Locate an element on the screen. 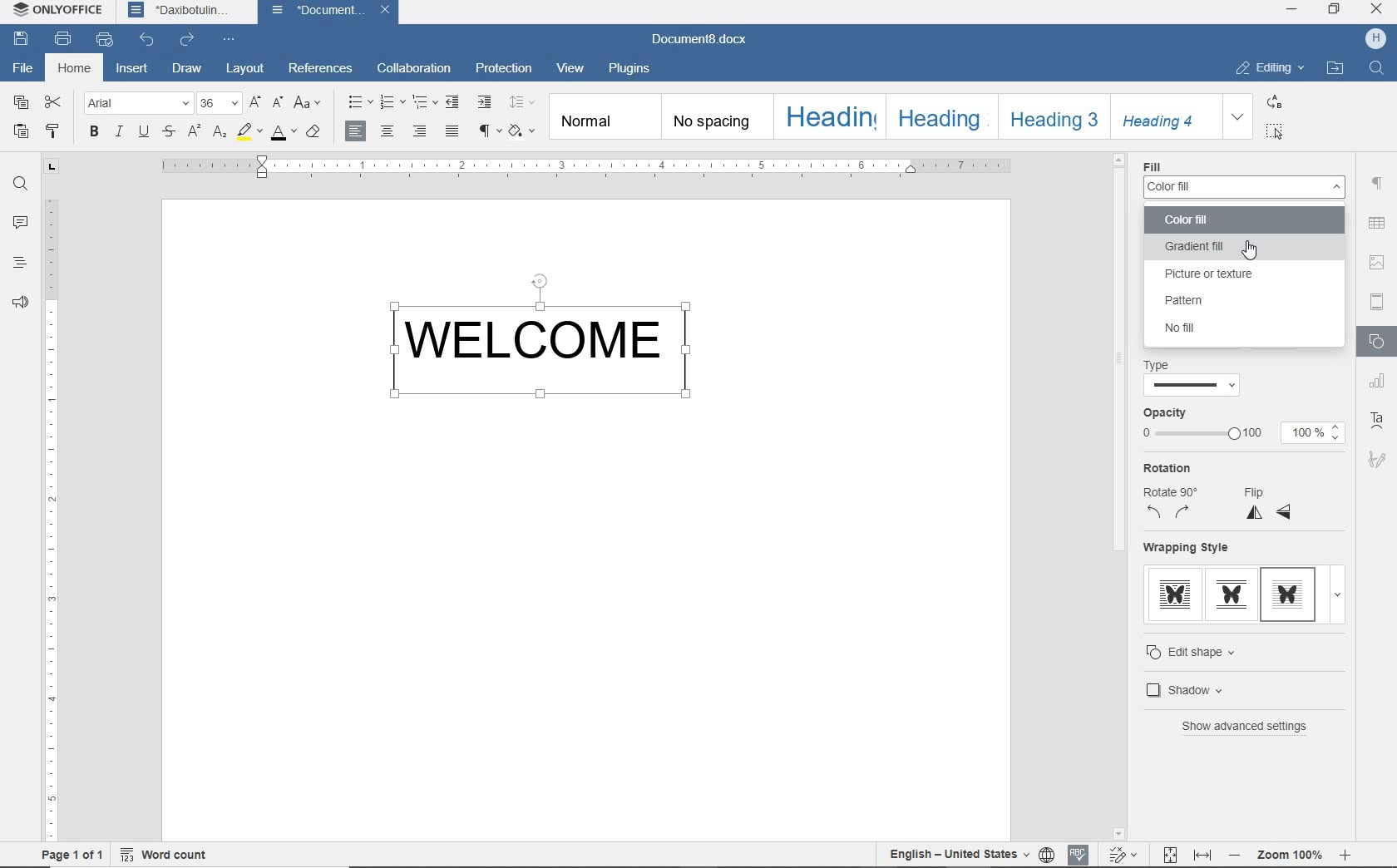 This screenshot has height=868, width=1397. QUICK PRINT is located at coordinates (103, 40).